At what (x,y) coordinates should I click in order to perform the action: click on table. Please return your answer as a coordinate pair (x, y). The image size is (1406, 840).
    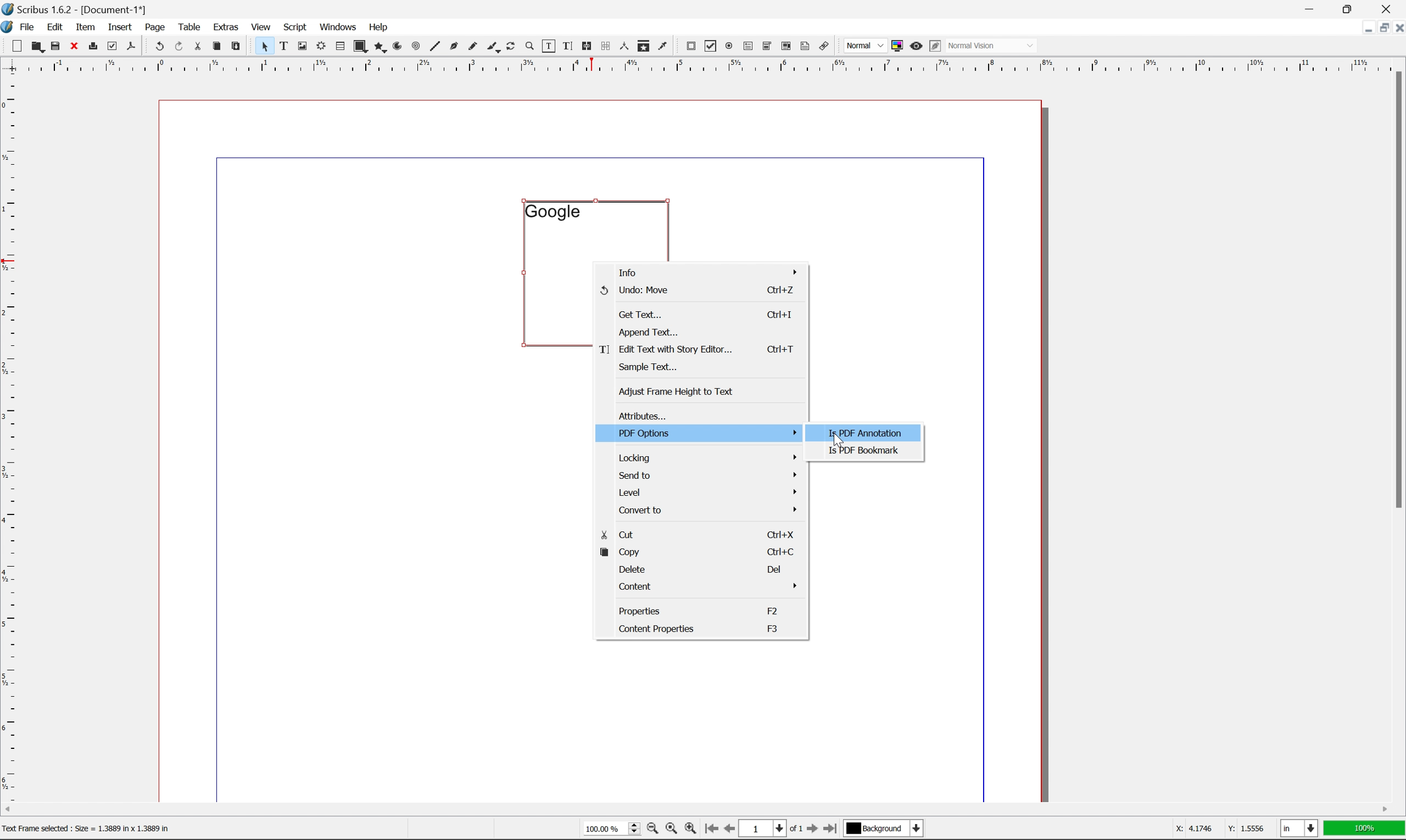
    Looking at the image, I should click on (190, 26).